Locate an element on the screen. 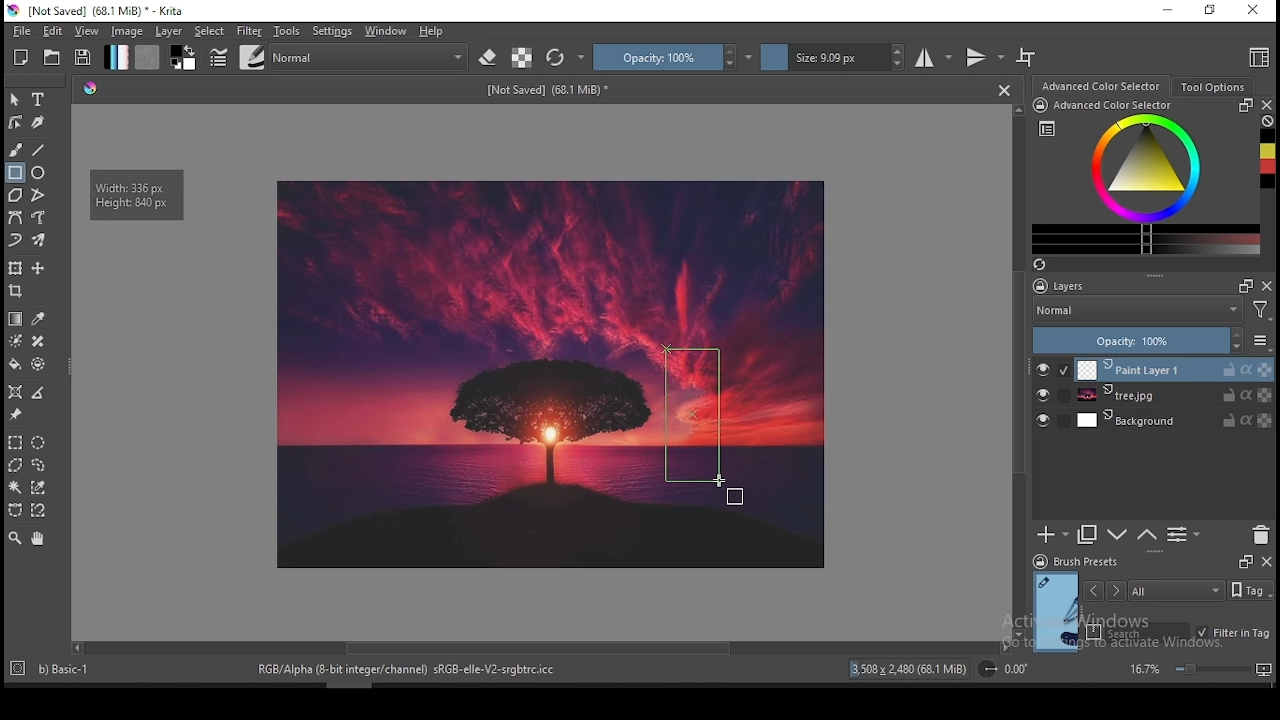 The image size is (1280, 720). size is located at coordinates (833, 58).